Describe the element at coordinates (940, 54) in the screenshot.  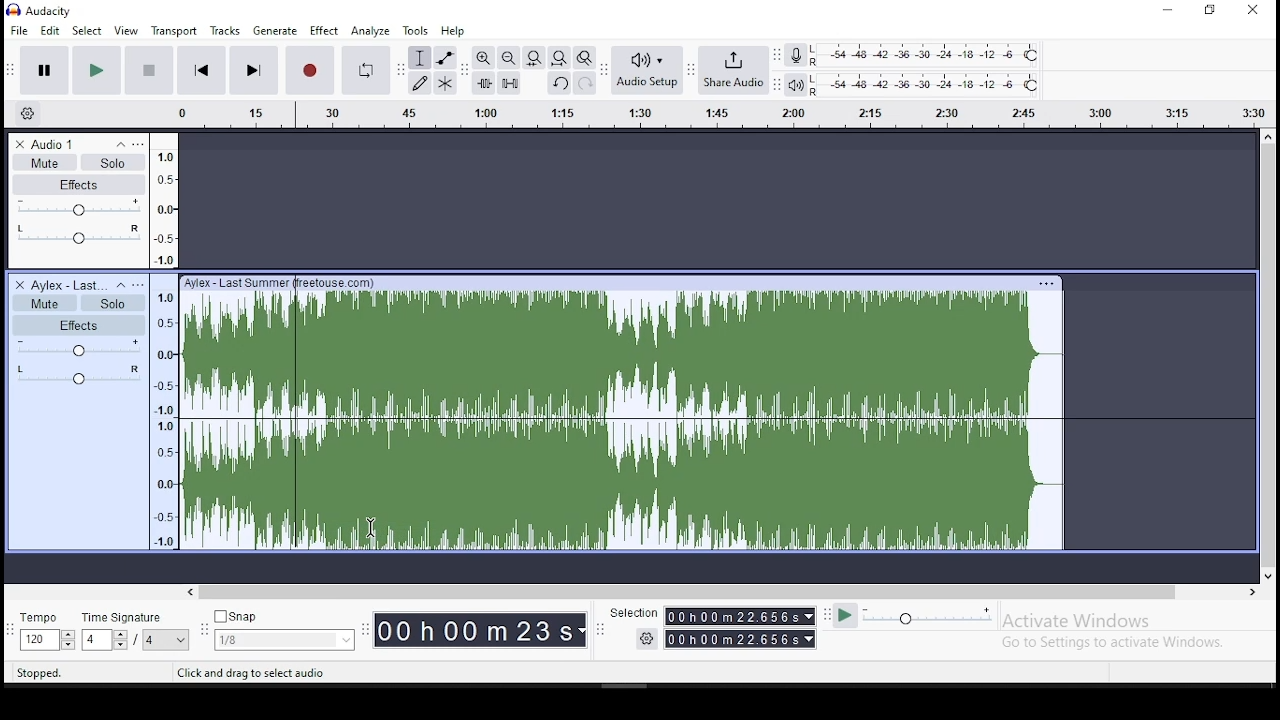
I see `record level` at that location.